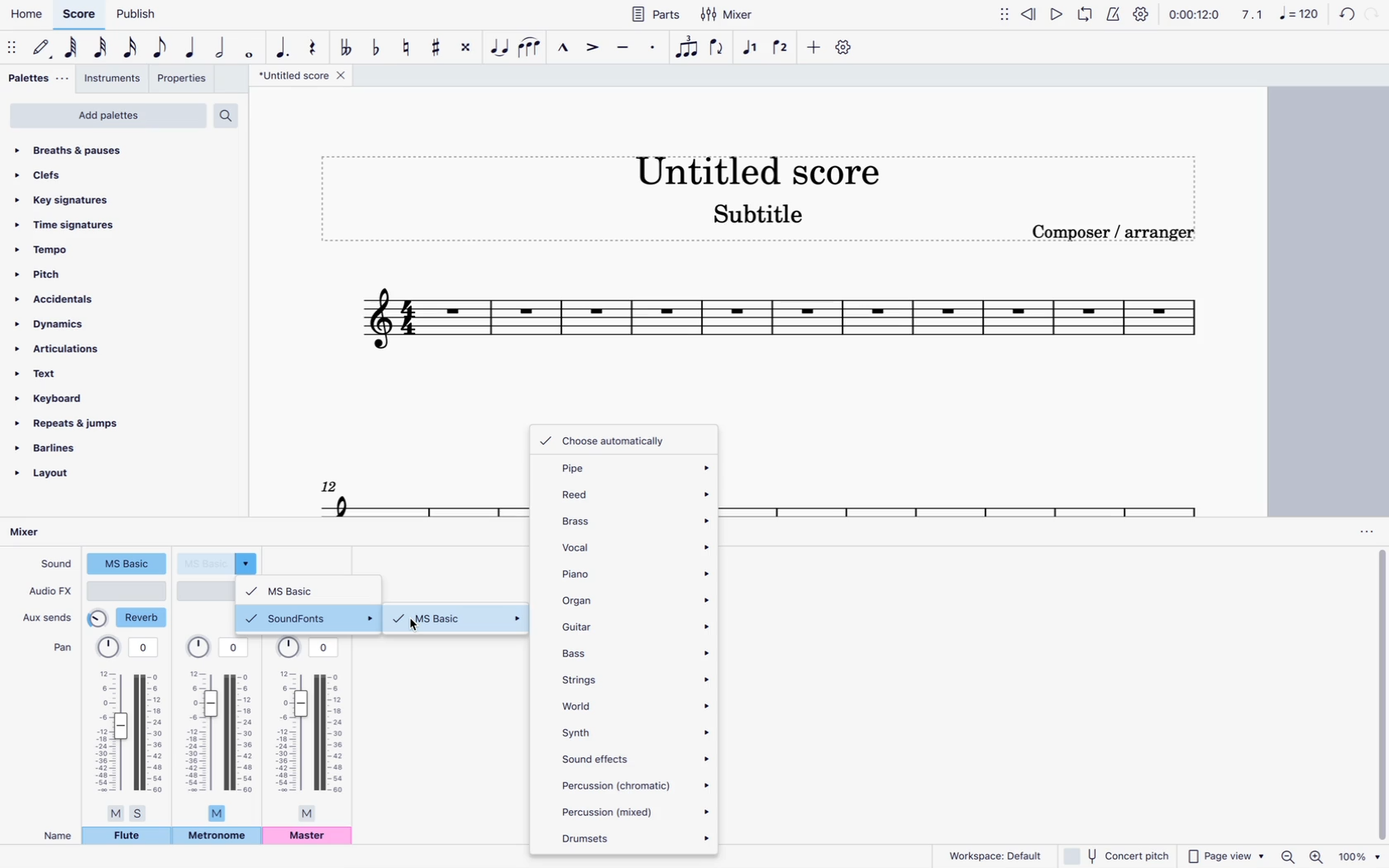  I want to click on eight note, so click(161, 47).